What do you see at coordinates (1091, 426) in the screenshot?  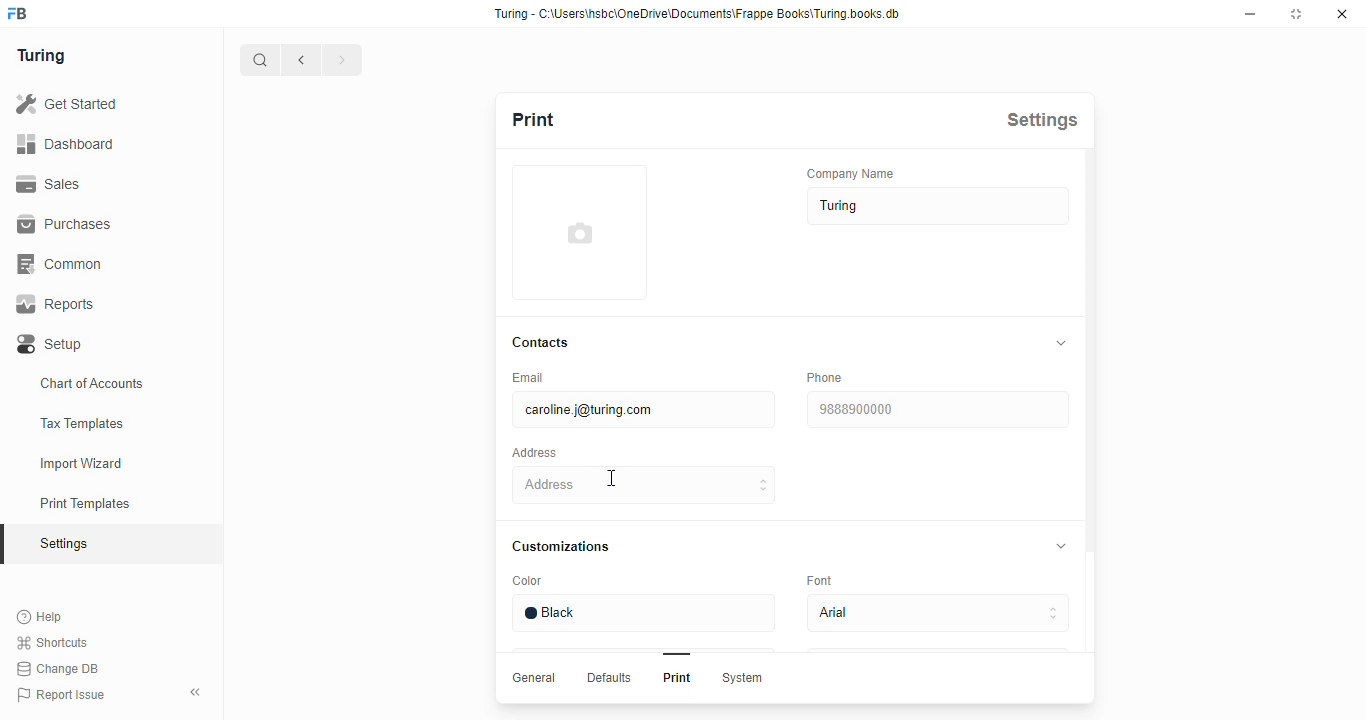 I see `scroll bar` at bounding box center [1091, 426].